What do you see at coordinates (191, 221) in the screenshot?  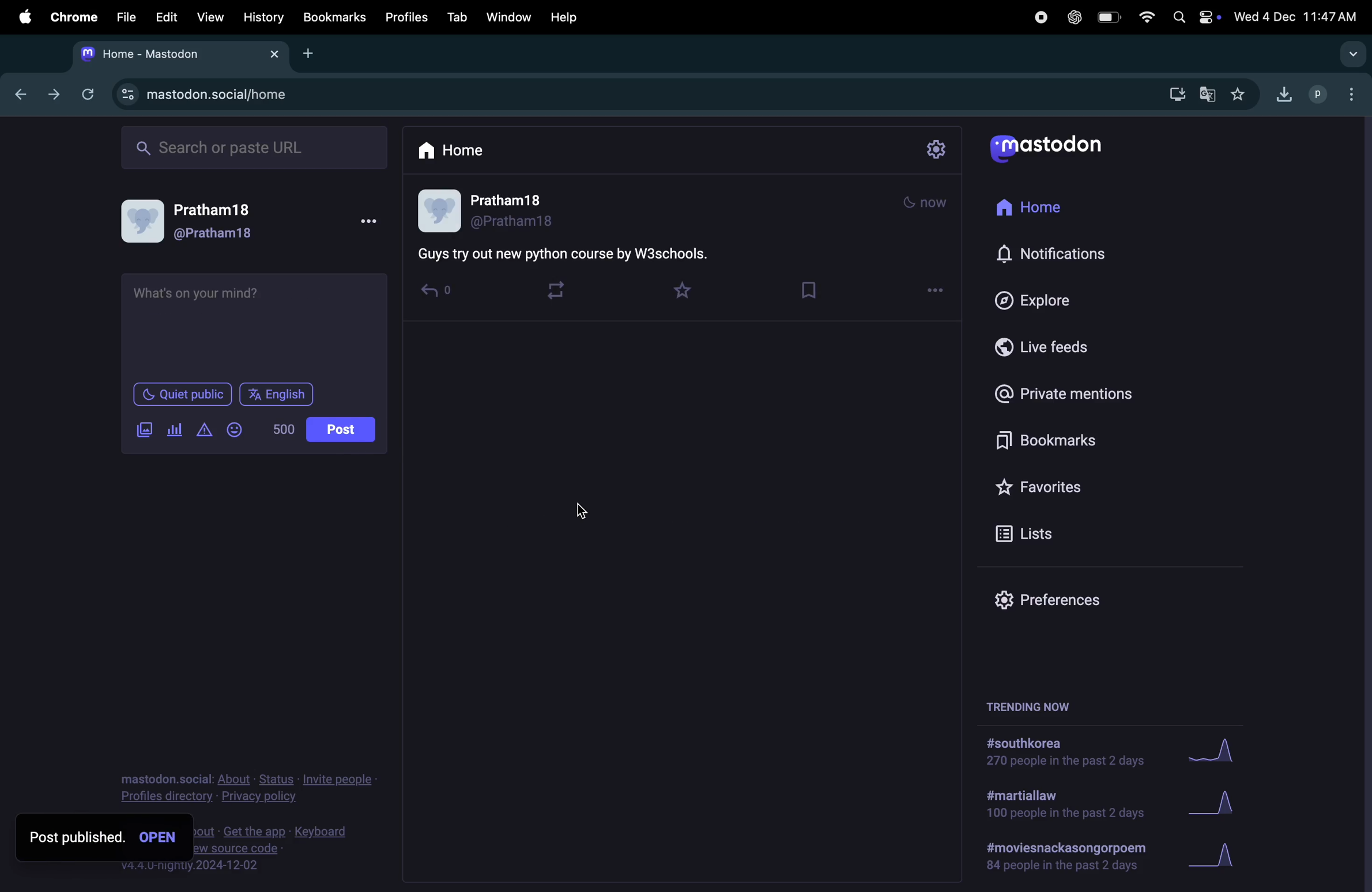 I see `user profile` at bounding box center [191, 221].